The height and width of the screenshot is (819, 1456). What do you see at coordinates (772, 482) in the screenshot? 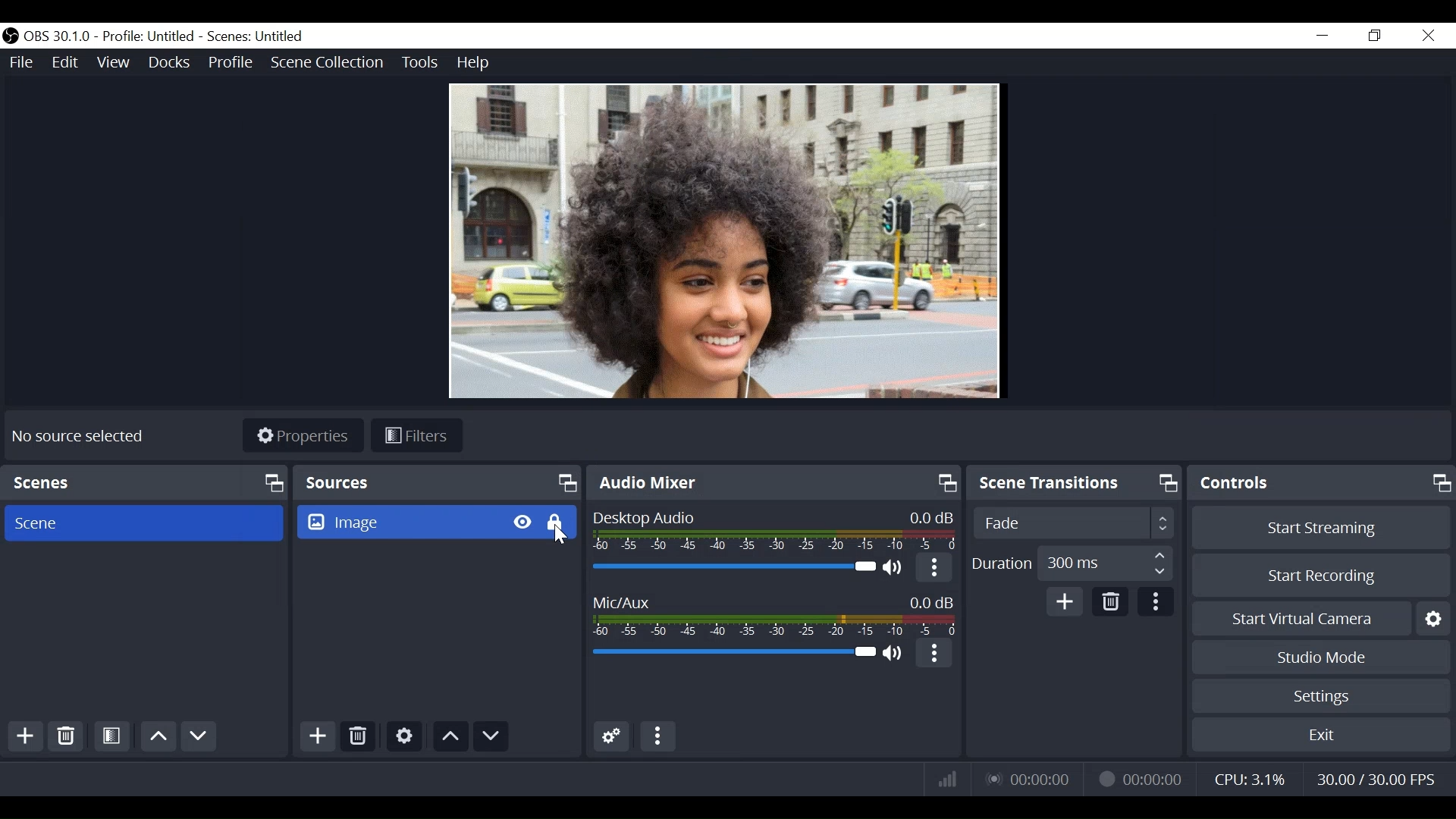
I see `Audio Mixer` at bounding box center [772, 482].